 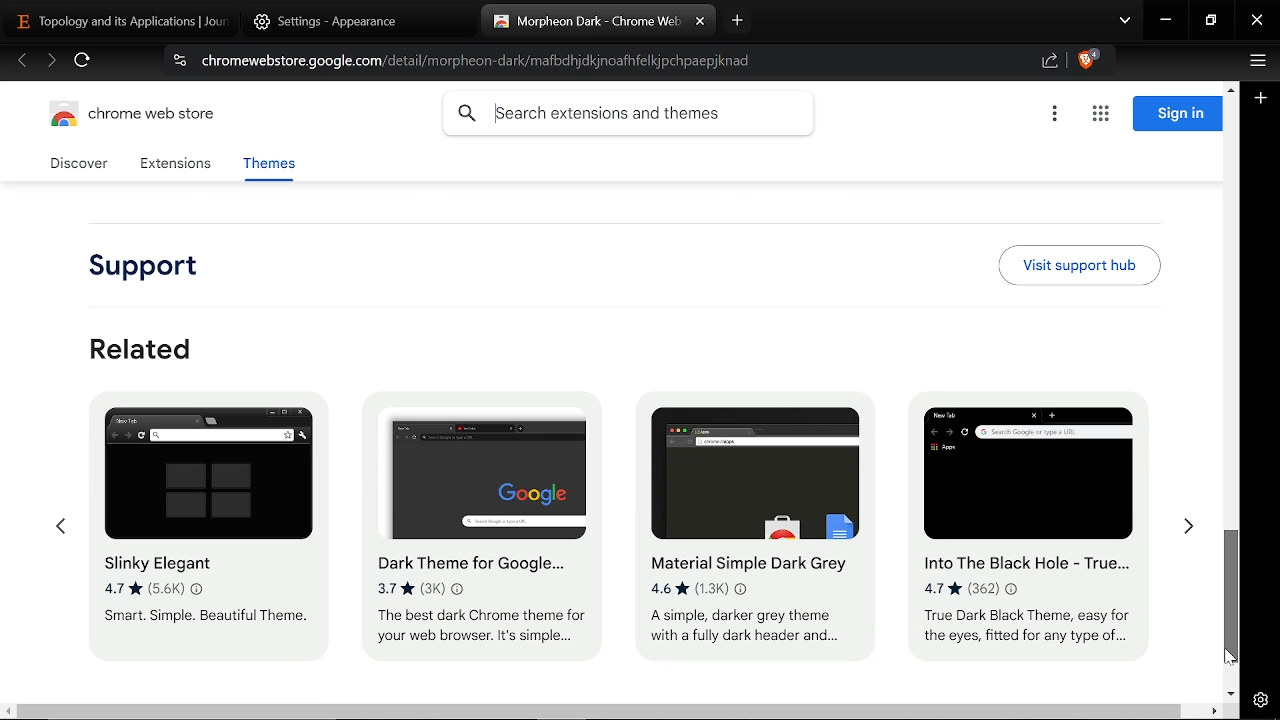 I want to click on Brave shield, so click(x=1088, y=62).